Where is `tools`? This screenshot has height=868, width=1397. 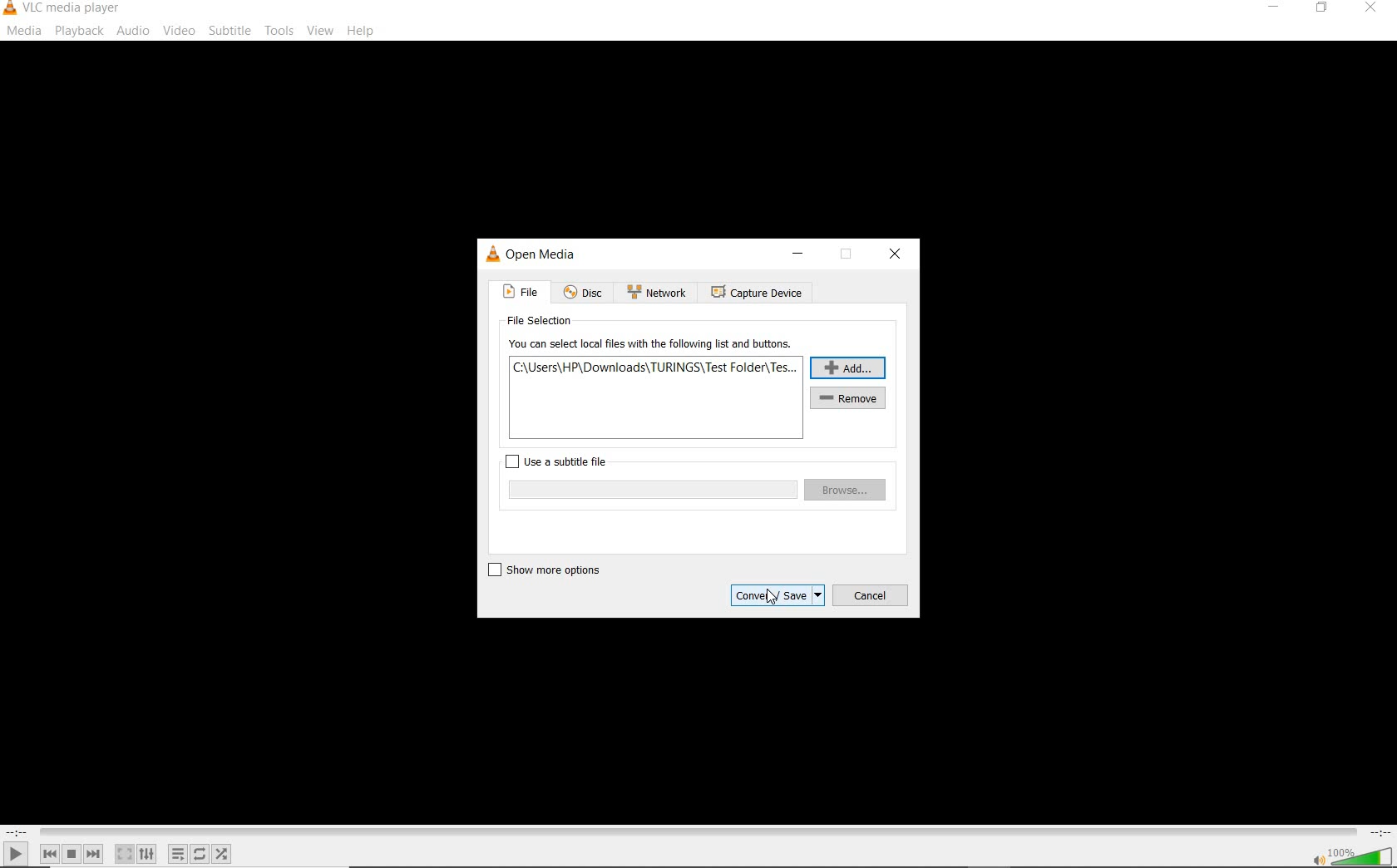
tools is located at coordinates (278, 28).